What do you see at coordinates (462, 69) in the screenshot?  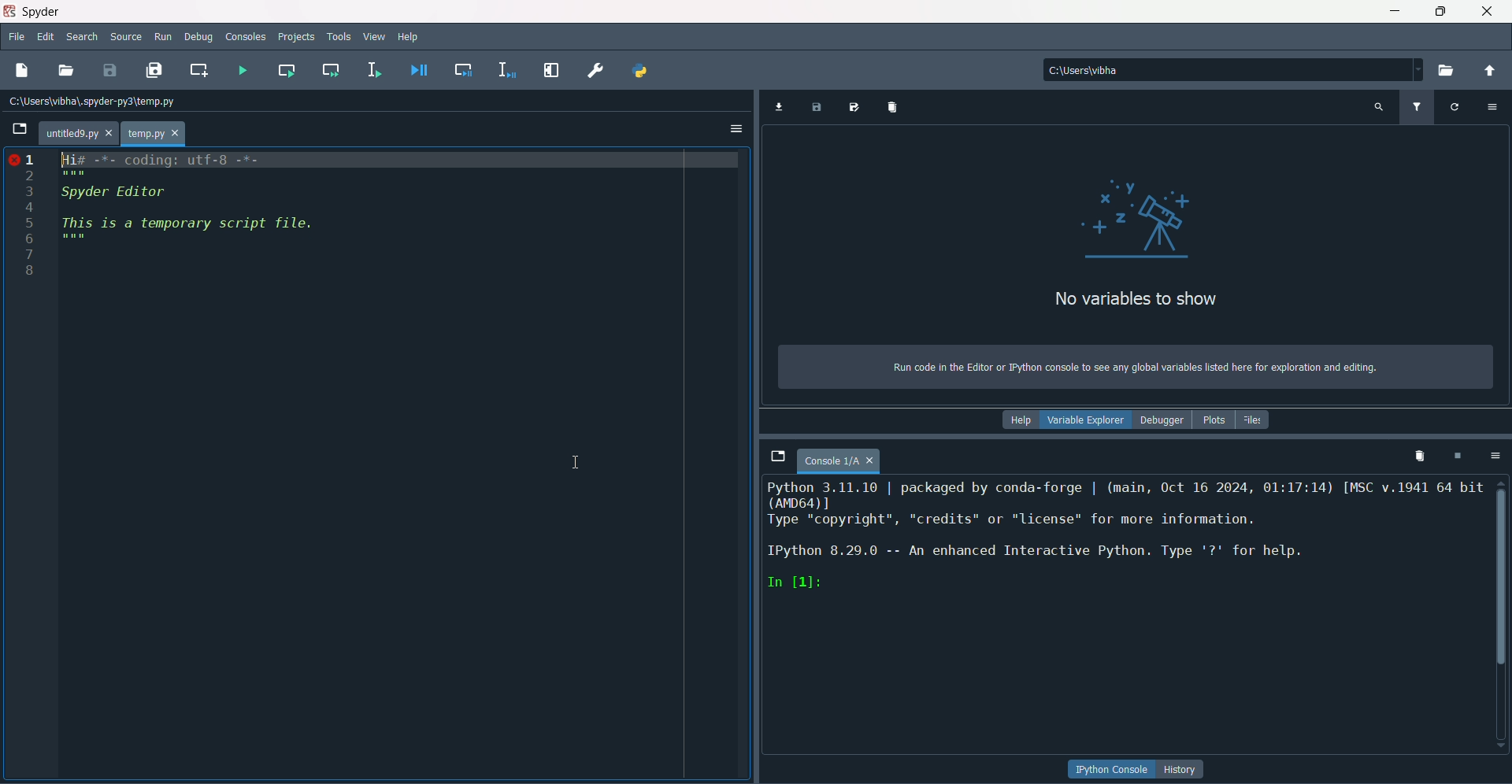 I see `debug cell` at bounding box center [462, 69].